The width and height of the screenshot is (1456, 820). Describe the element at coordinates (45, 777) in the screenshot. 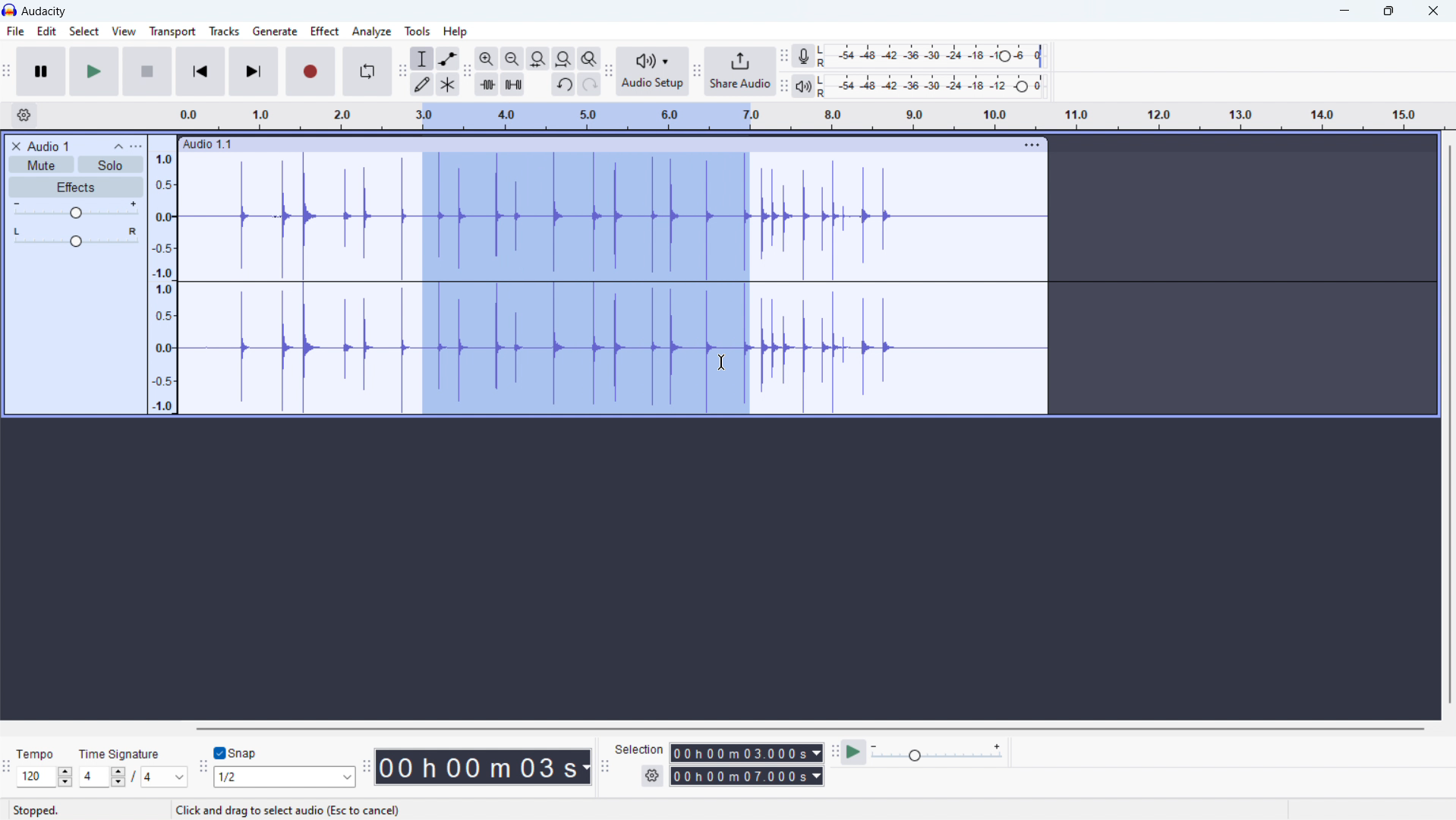

I see `set tempo` at that location.